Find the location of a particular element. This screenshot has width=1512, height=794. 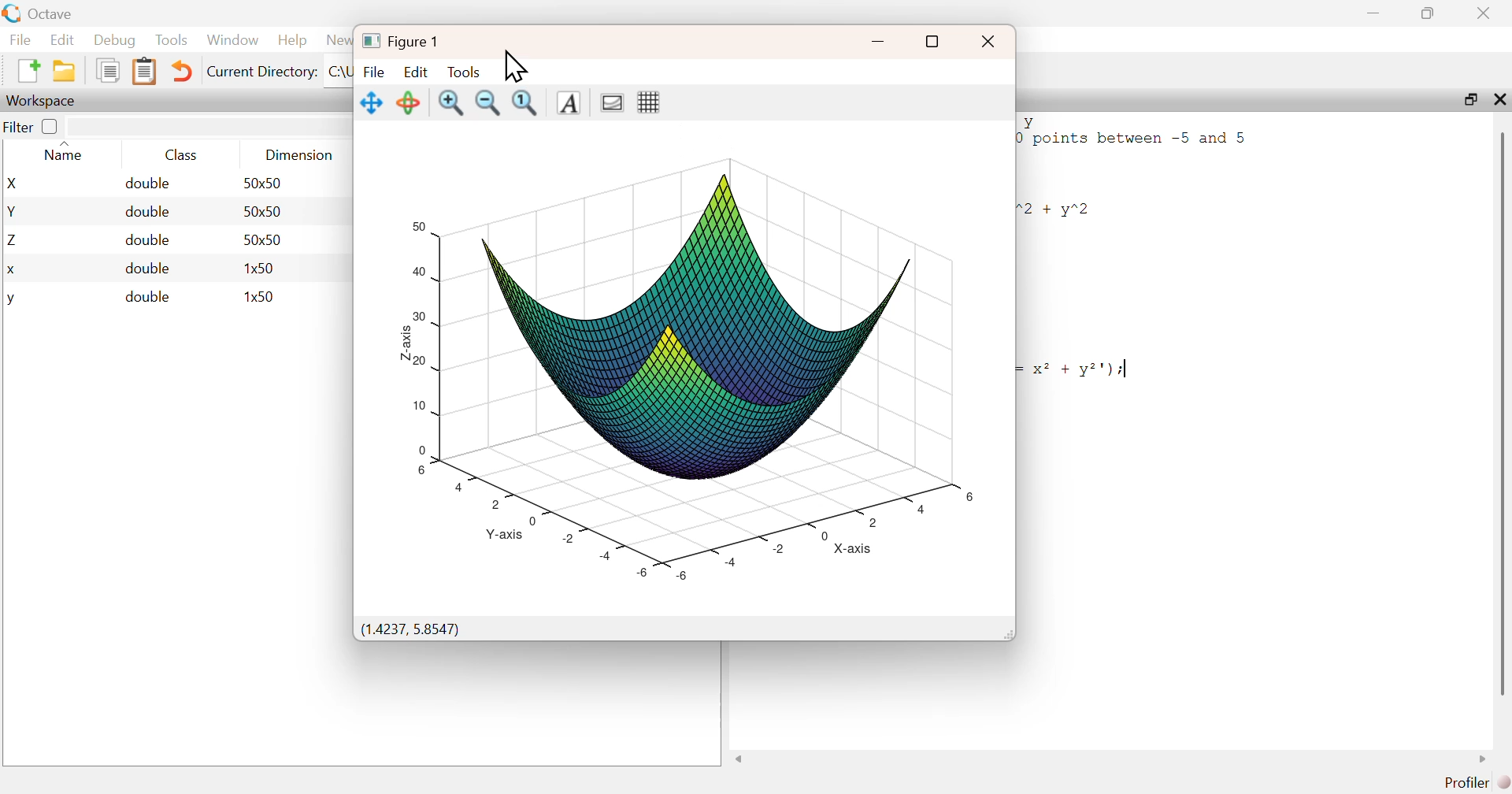

Tools is located at coordinates (172, 39).